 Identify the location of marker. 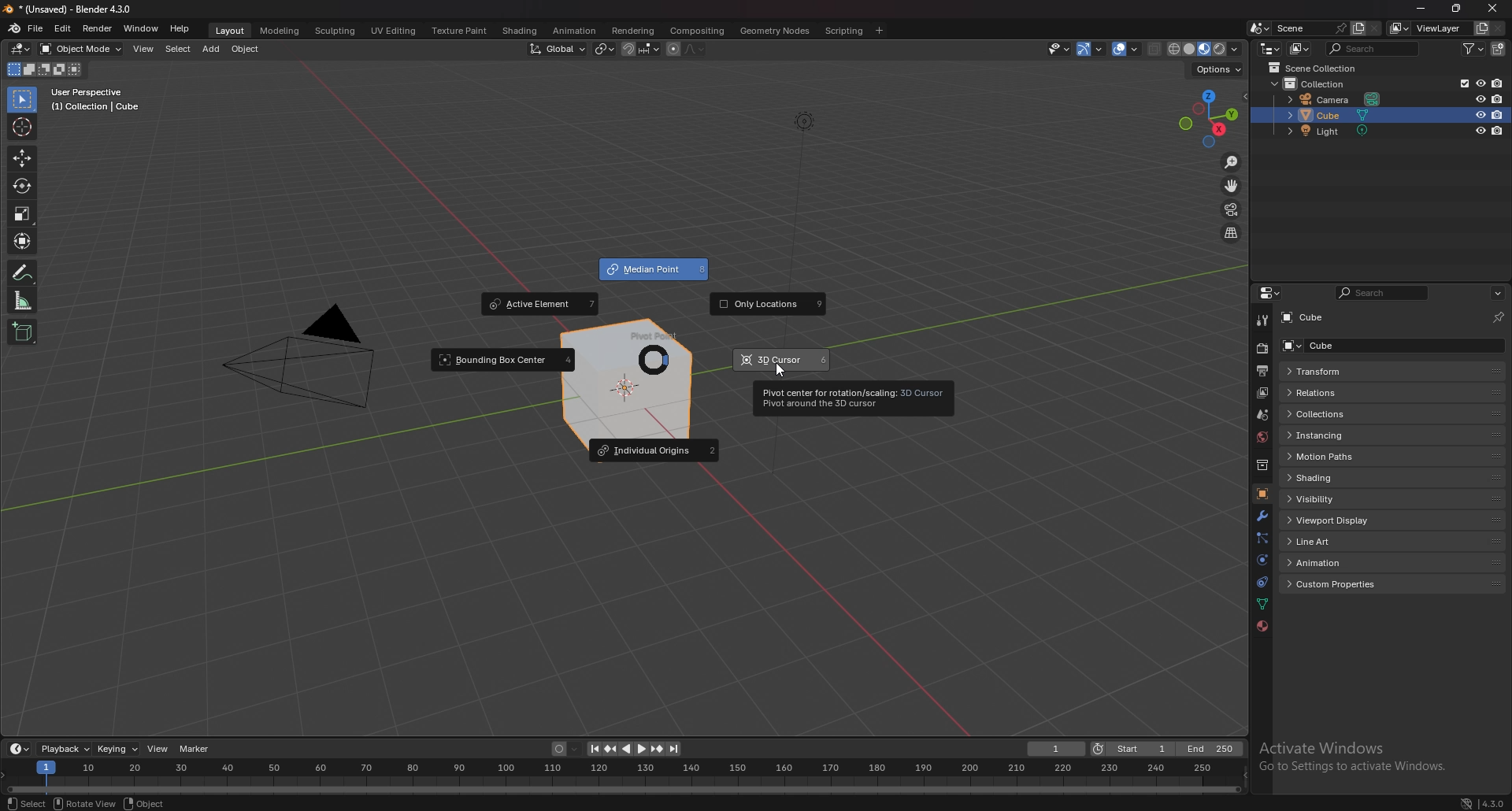
(195, 749).